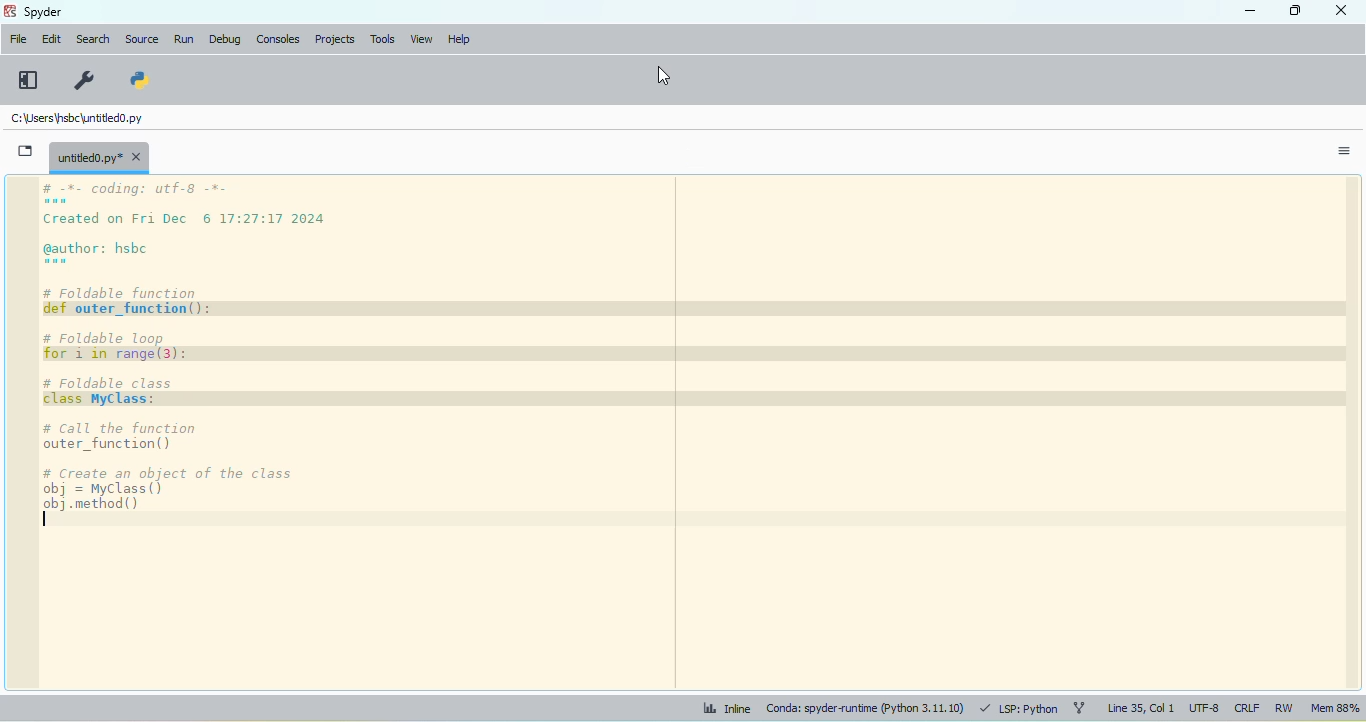  What do you see at coordinates (1334, 709) in the screenshot?
I see `mem 88%` at bounding box center [1334, 709].